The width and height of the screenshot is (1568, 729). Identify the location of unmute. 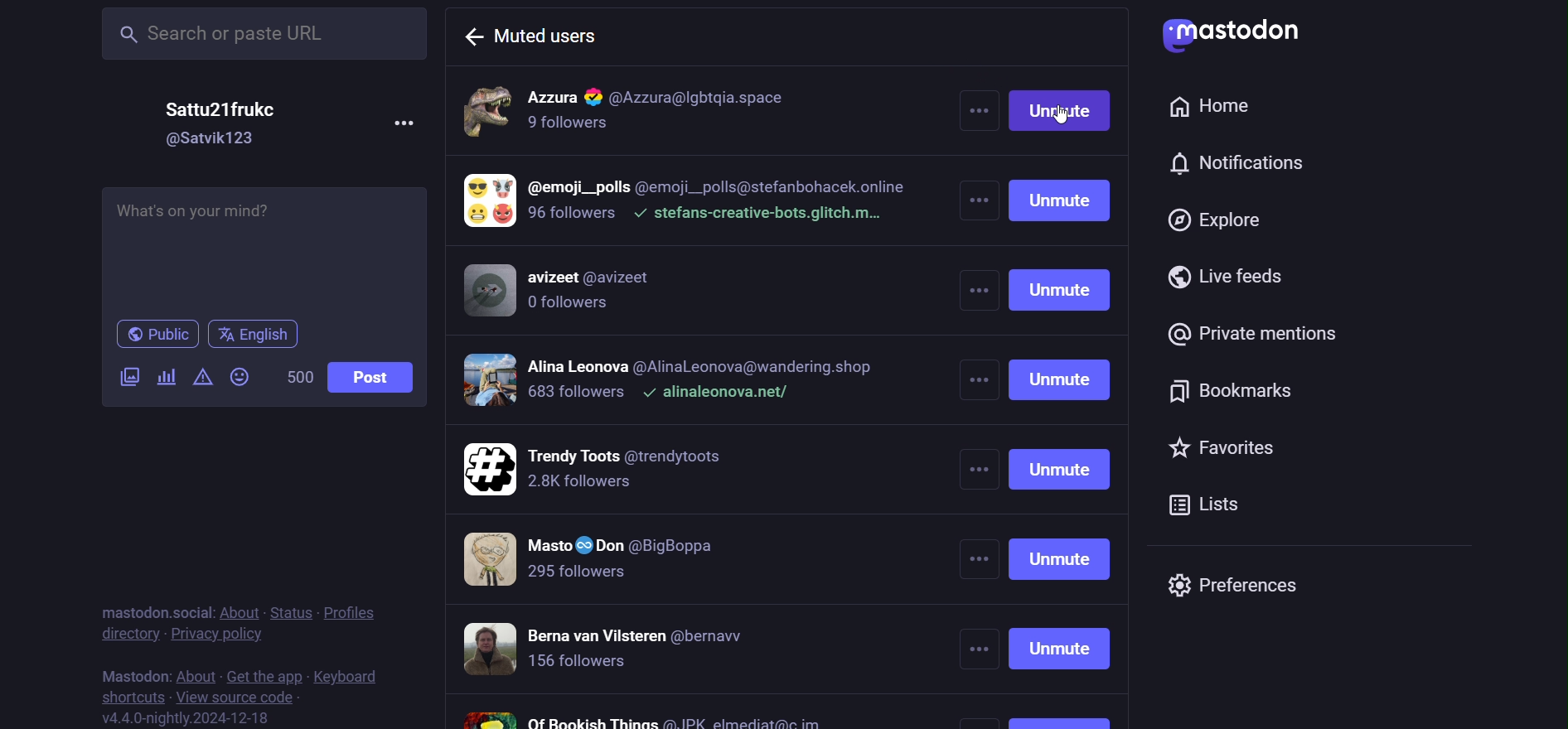
(1065, 406).